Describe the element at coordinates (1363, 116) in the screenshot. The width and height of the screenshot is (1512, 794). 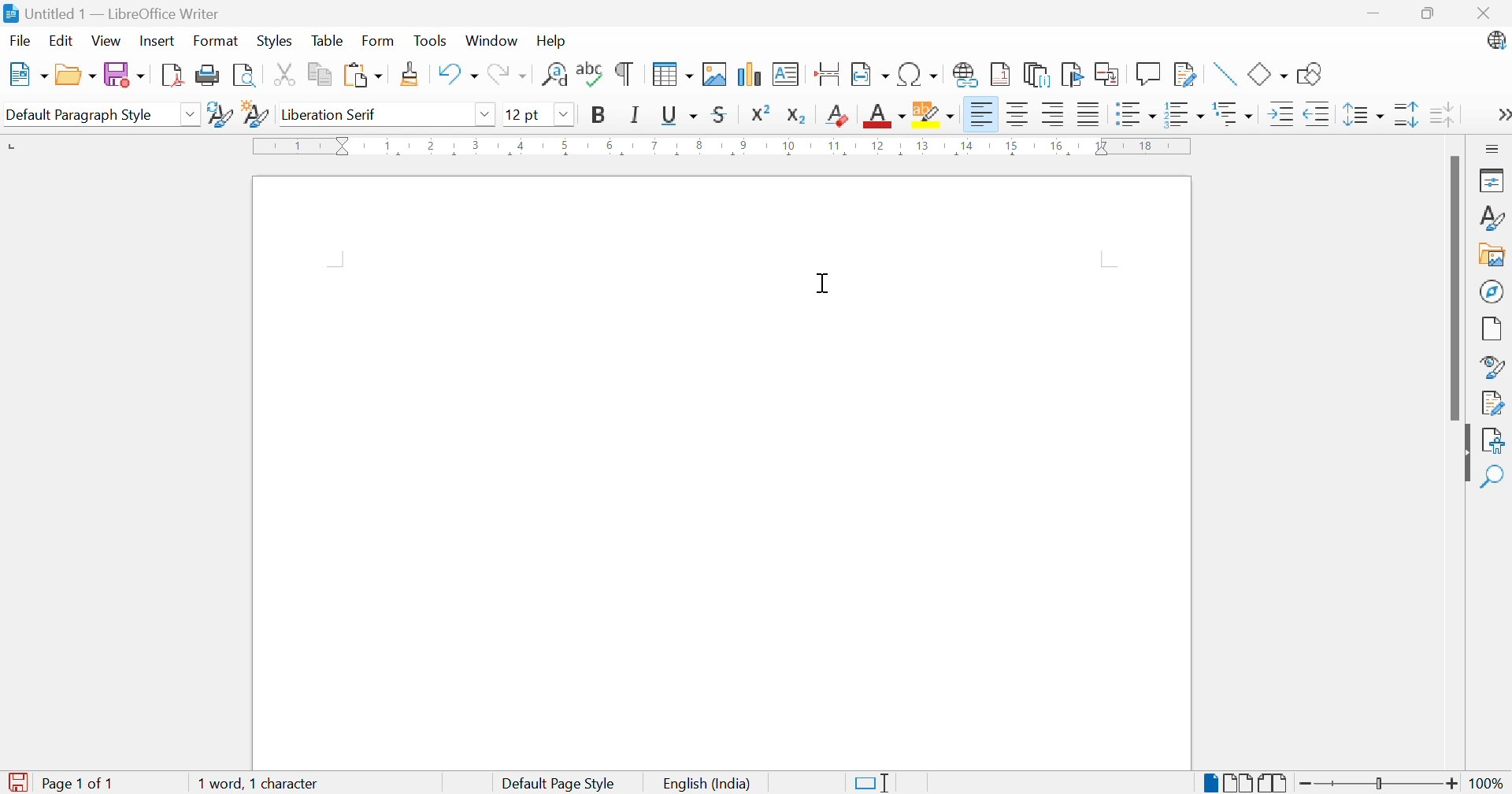
I see `Set Line Spacing` at that location.